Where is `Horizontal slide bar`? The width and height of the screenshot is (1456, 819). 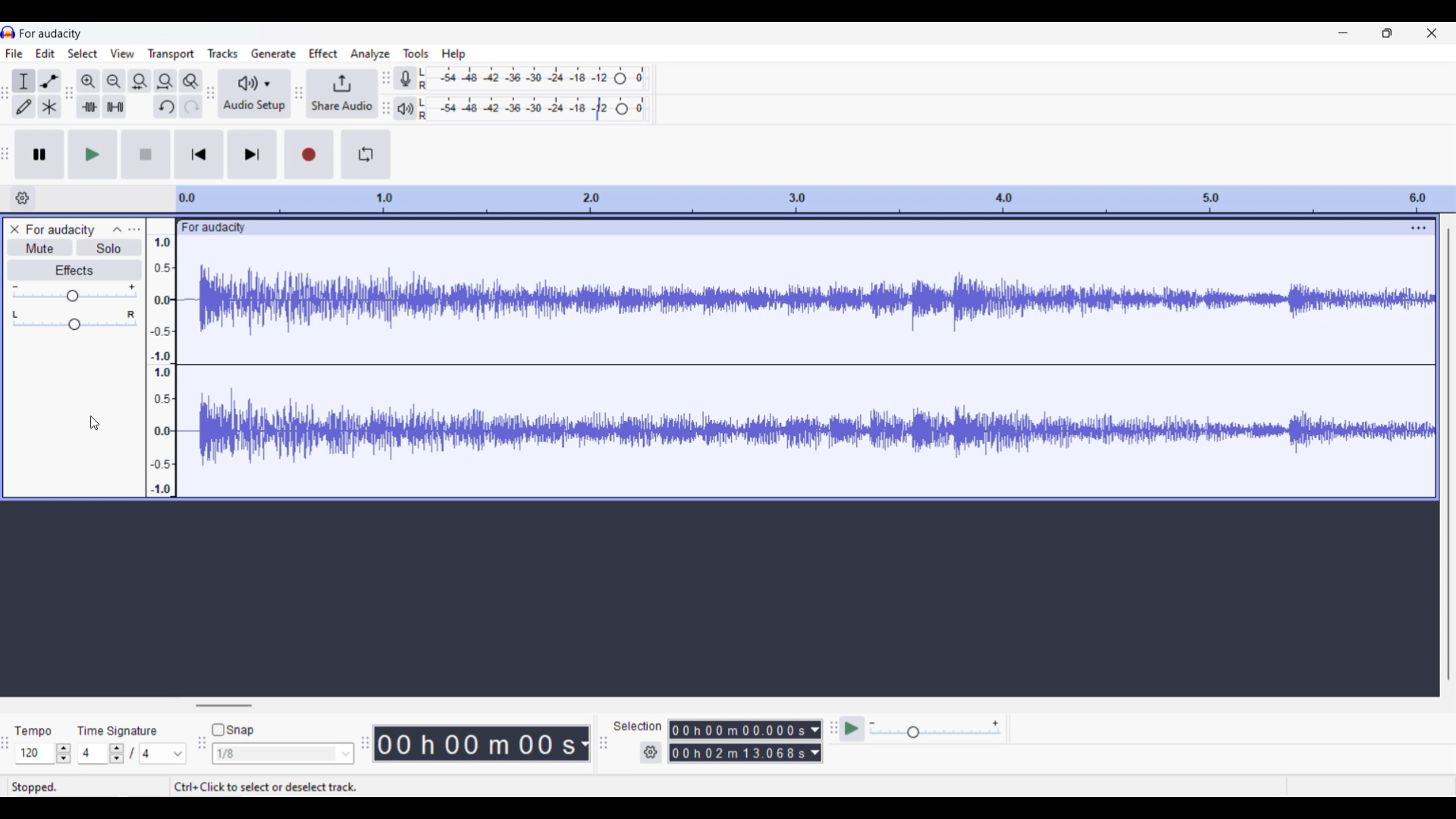 Horizontal slide bar is located at coordinates (224, 705).